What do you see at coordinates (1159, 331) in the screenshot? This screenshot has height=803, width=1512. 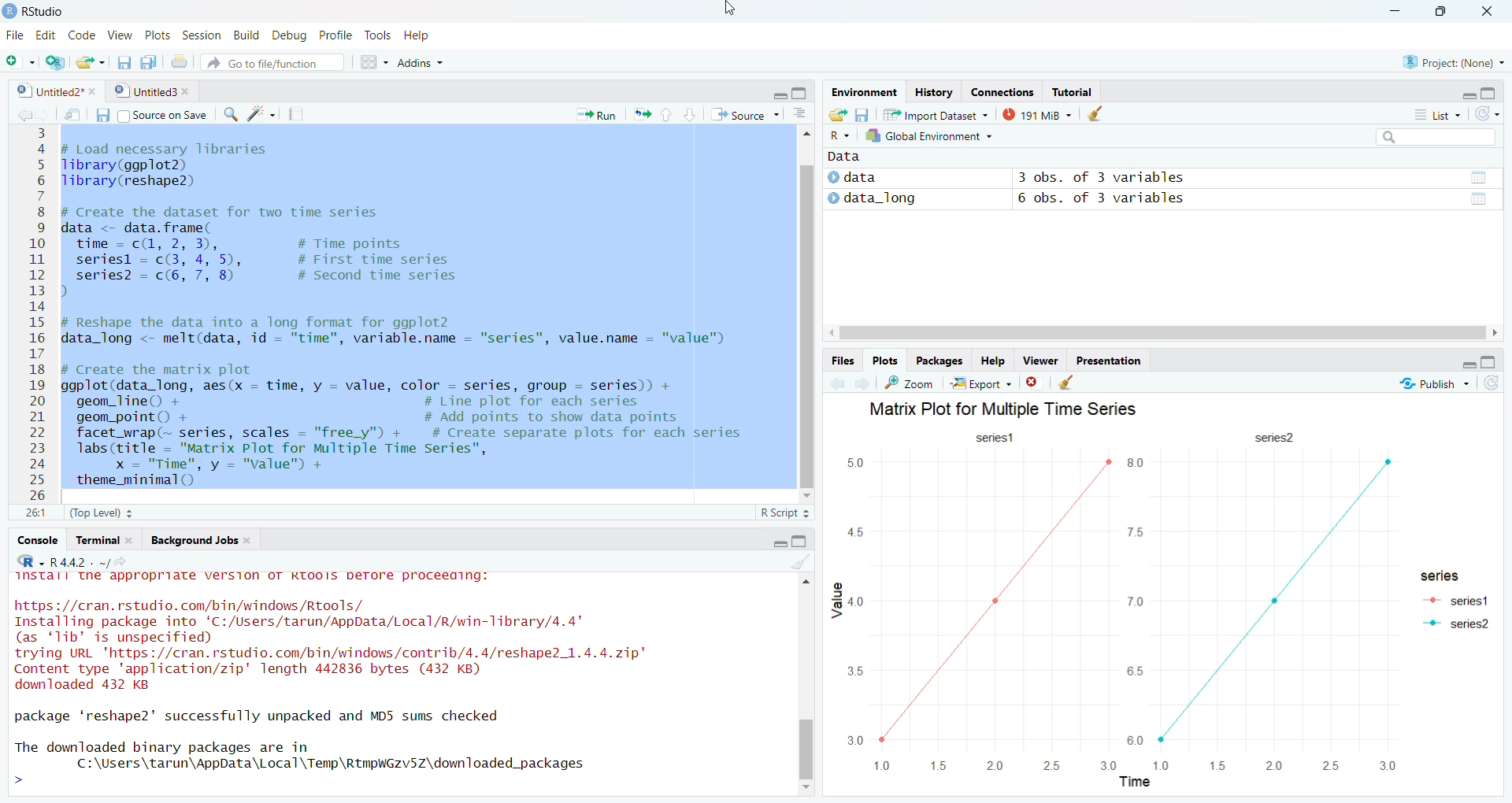 I see `Scroll bar` at bounding box center [1159, 331].